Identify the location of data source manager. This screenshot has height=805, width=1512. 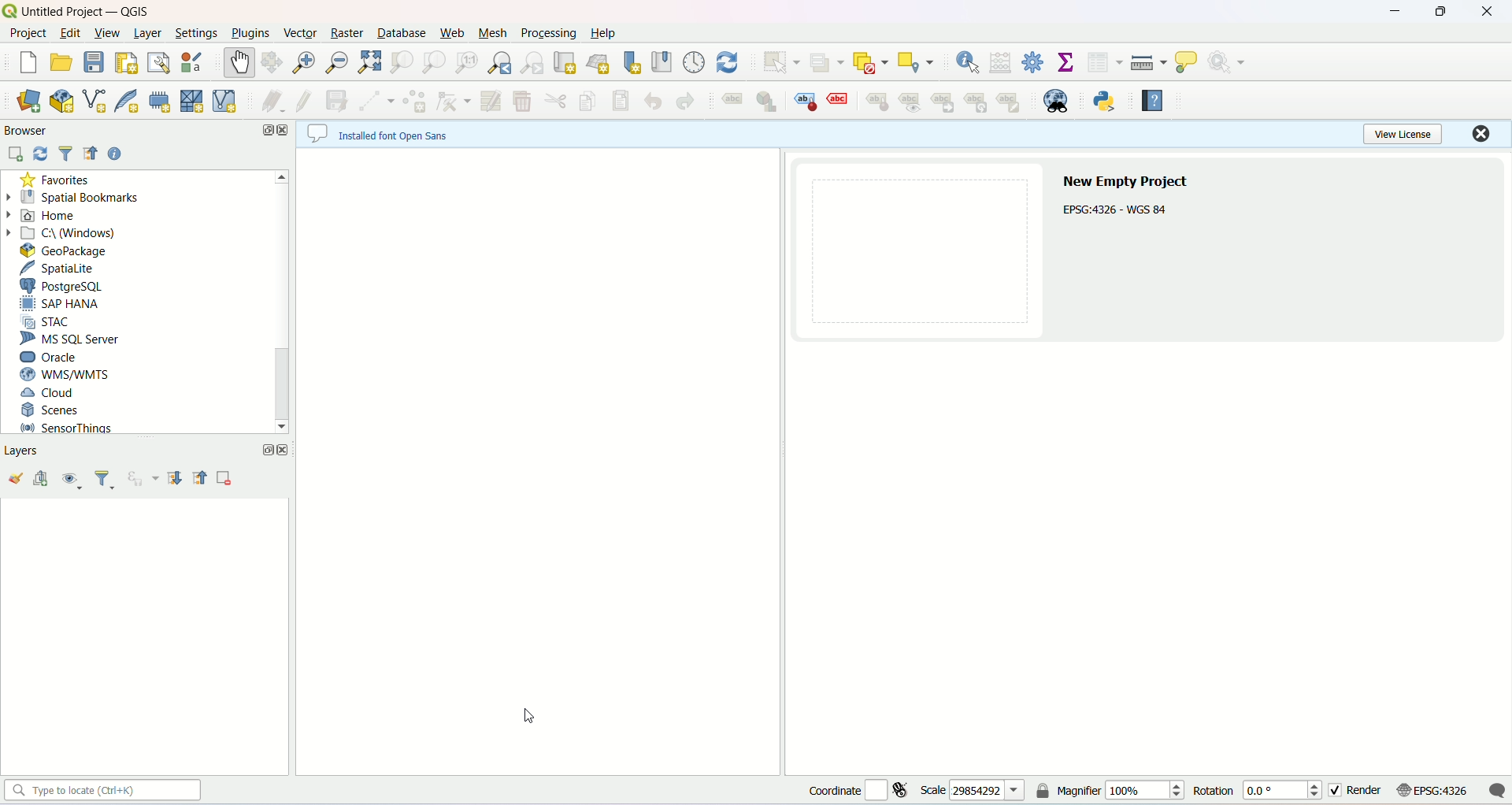
(26, 103).